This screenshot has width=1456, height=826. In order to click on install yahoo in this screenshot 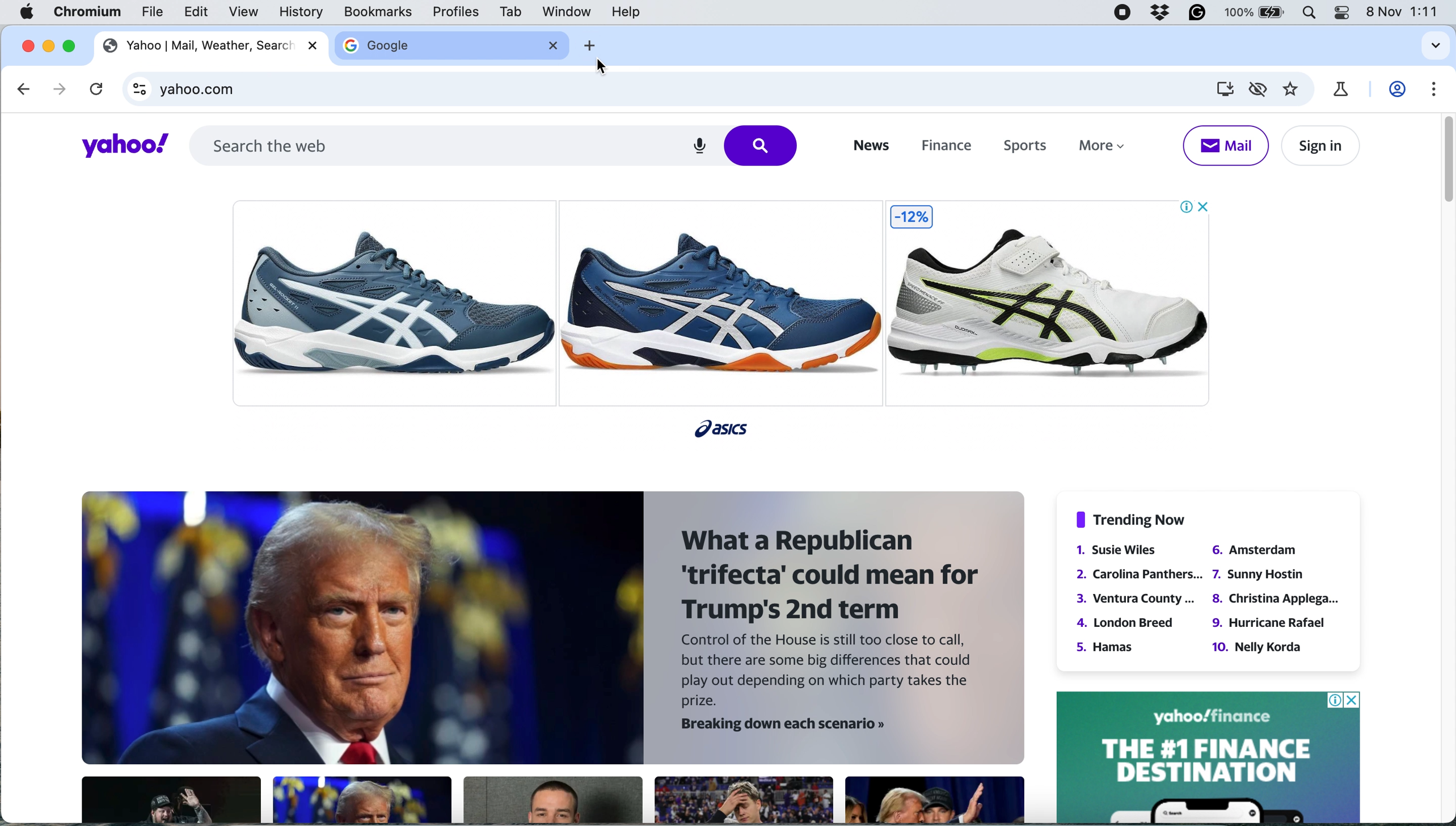, I will do `click(1223, 88)`.